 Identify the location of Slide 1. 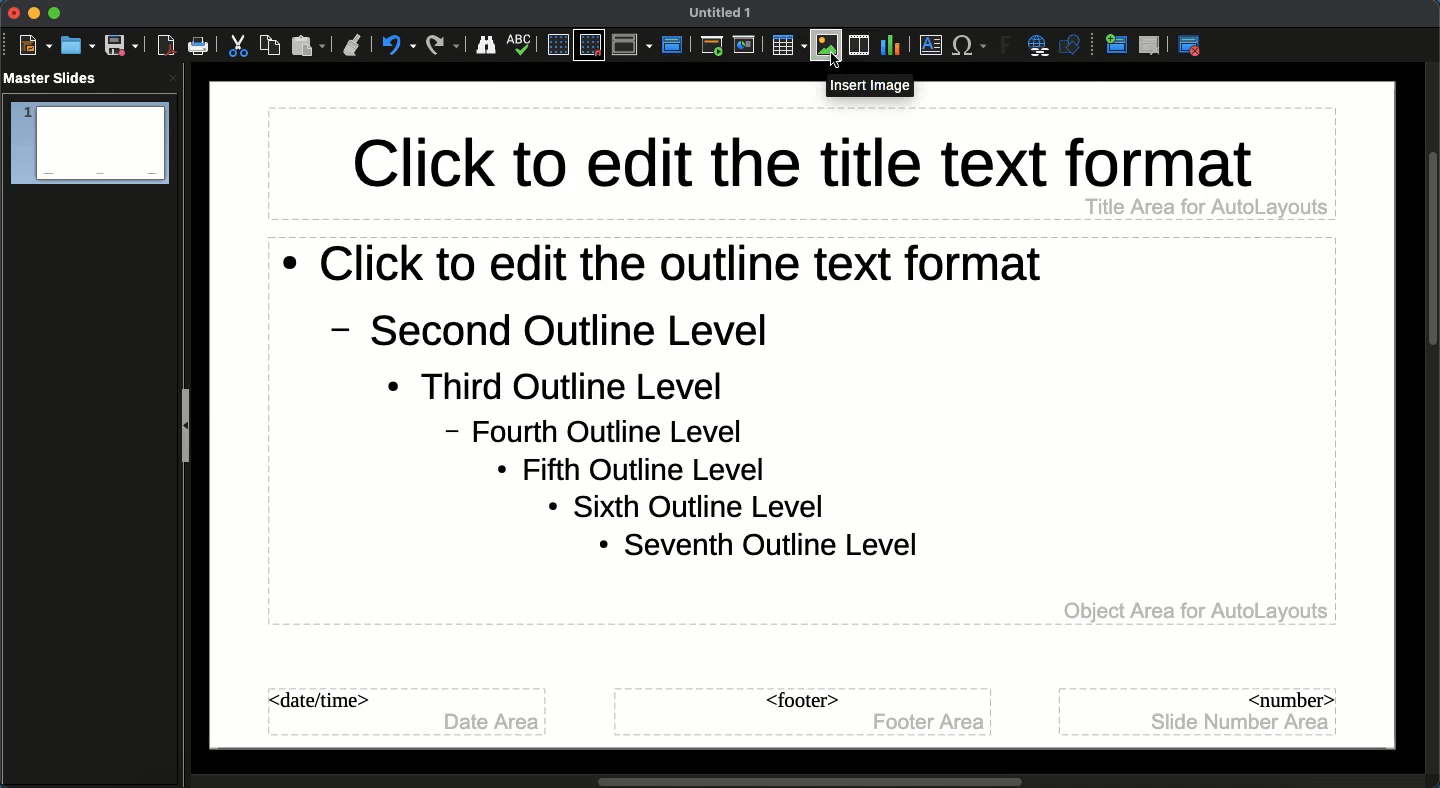
(92, 143).